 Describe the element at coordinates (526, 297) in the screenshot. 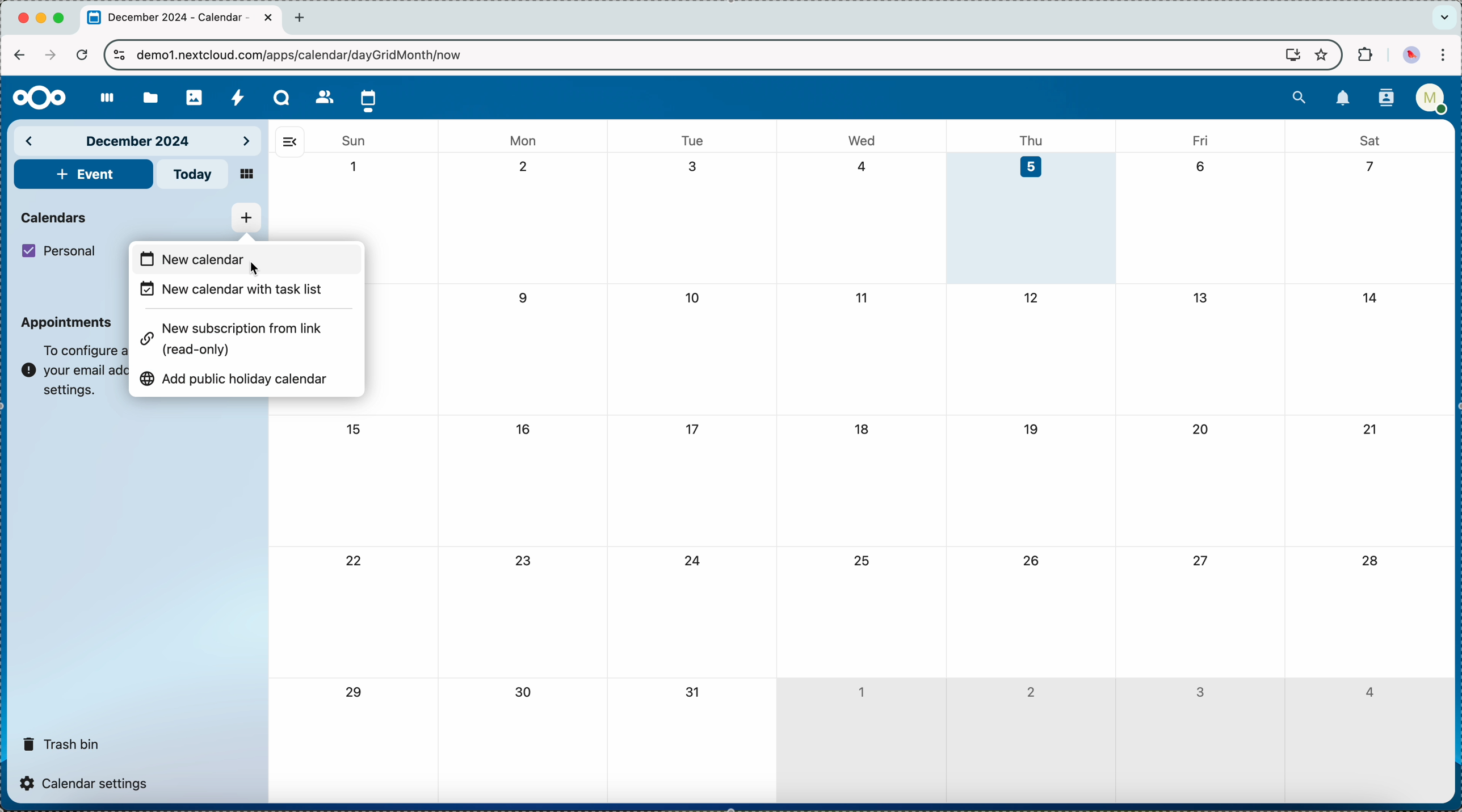

I see `9` at that location.